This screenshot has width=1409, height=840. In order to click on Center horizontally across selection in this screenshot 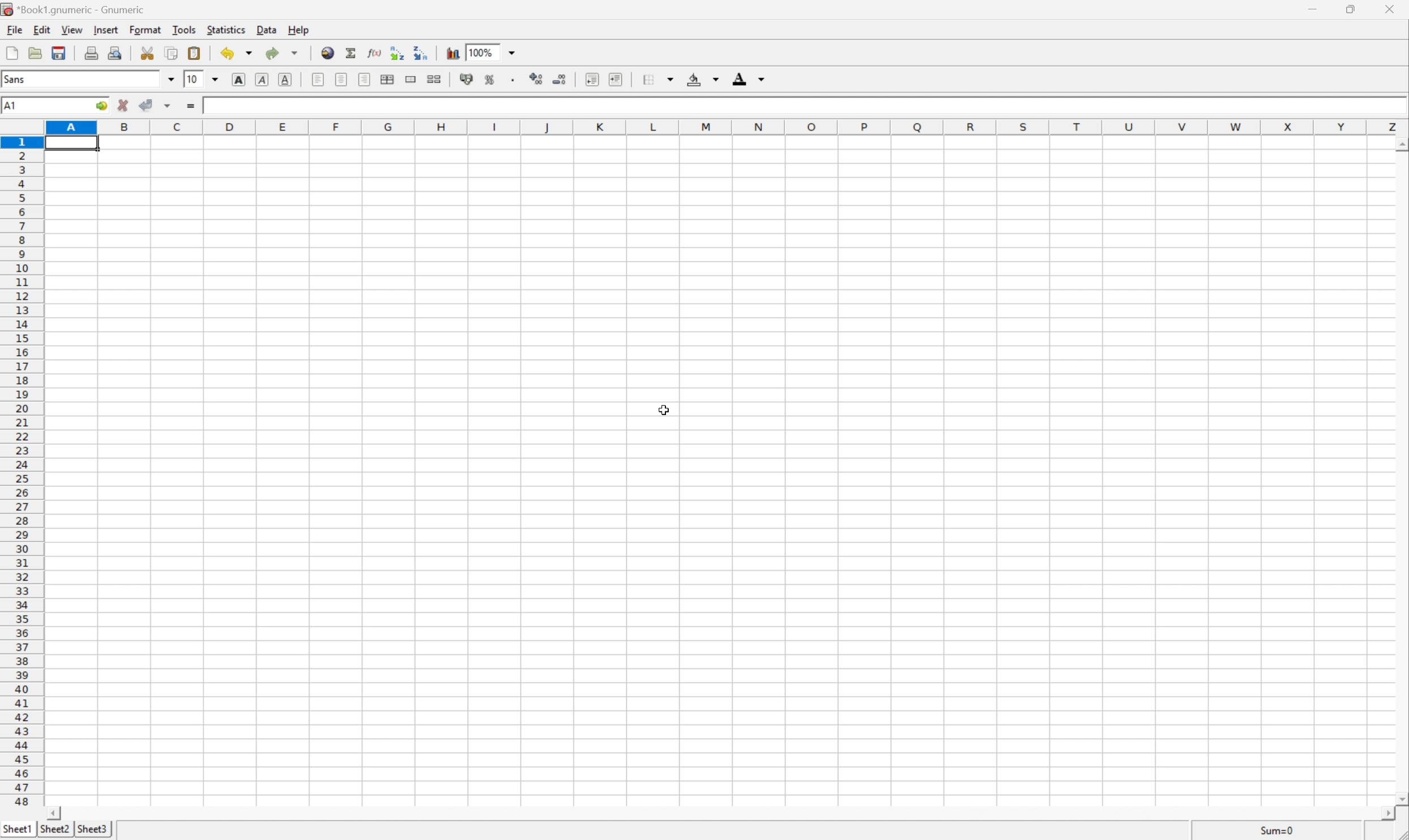, I will do `click(387, 79)`.